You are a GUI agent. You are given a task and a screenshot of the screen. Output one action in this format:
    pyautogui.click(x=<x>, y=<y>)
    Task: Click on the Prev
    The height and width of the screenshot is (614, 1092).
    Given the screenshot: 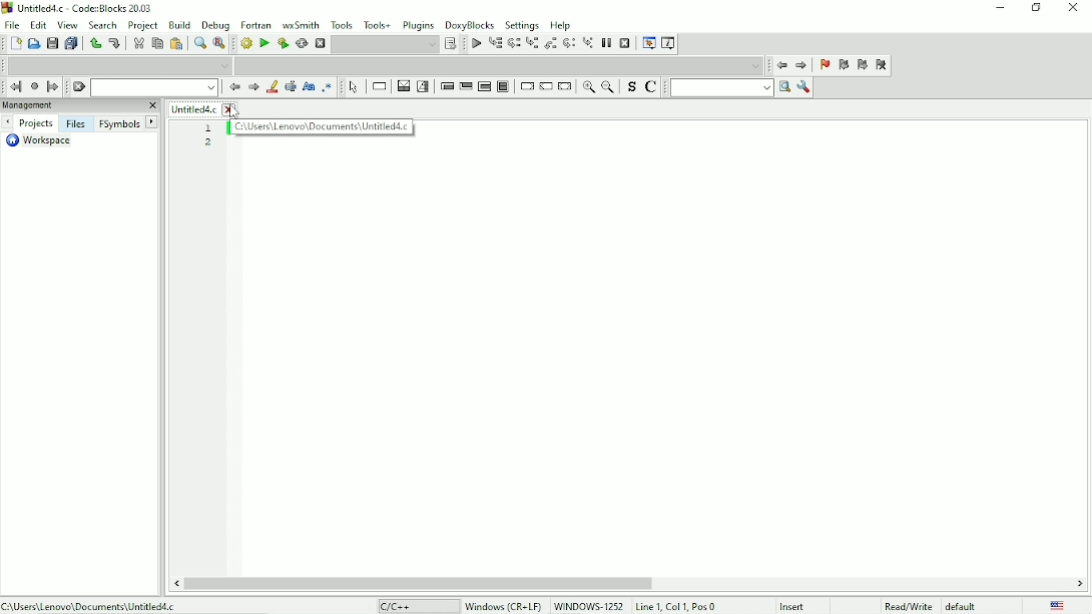 What is the action you would take?
    pyautogui.click(x=8, y=122)
    